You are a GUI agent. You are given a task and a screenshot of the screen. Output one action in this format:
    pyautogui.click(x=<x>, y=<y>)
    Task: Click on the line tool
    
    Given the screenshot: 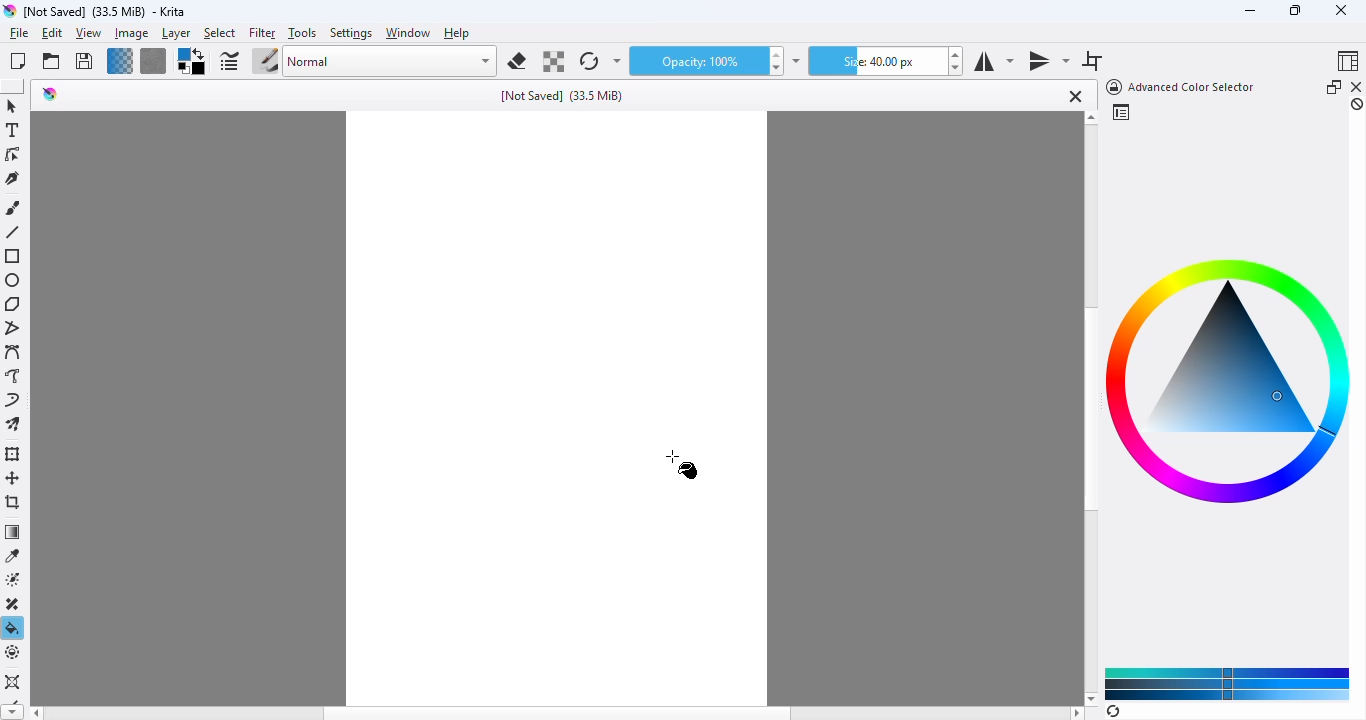 What is the action you would take?
    pyautogui.click(x=12, y=232)
    